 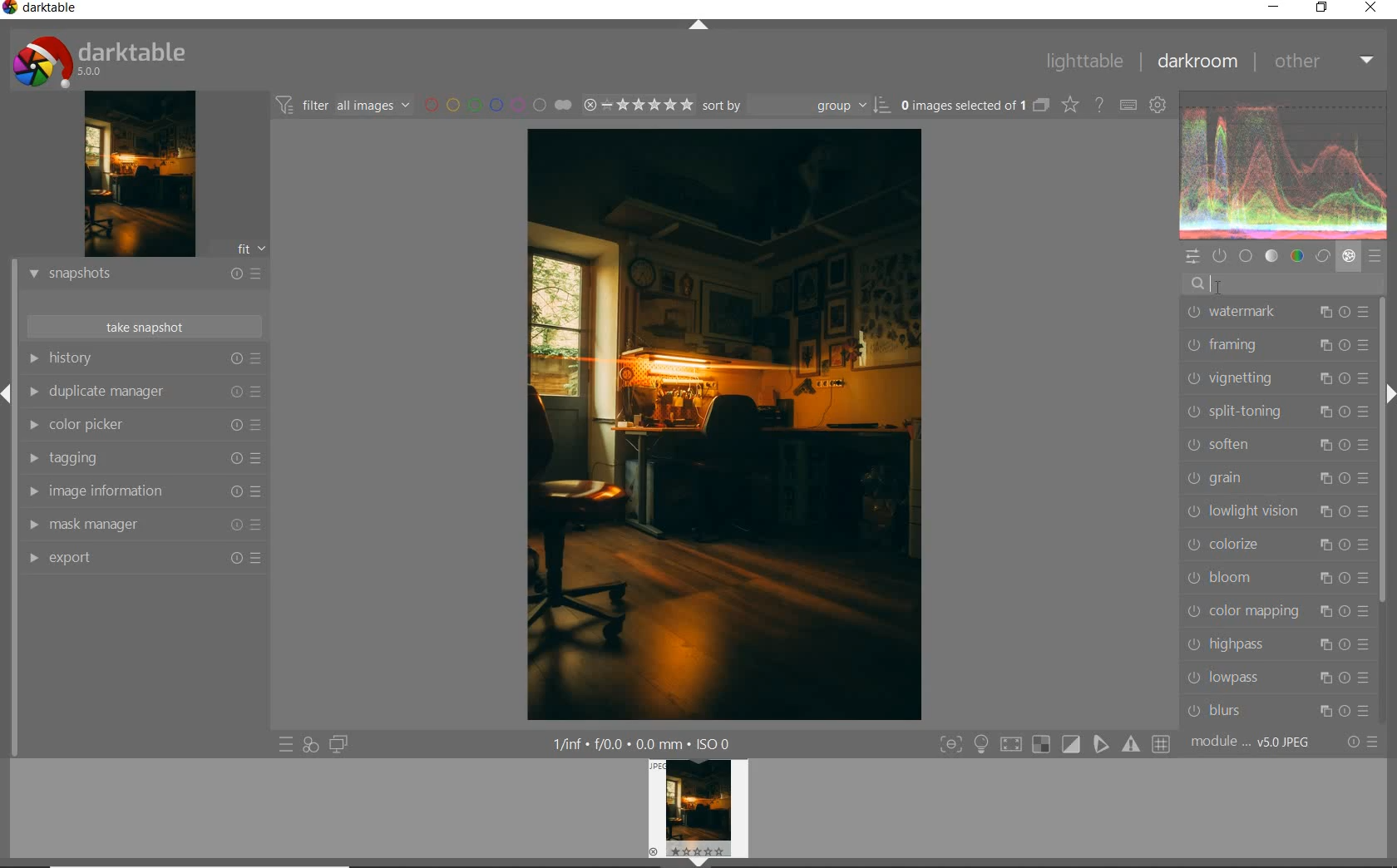 I want to click on grain, so click(x=1277, y=478).